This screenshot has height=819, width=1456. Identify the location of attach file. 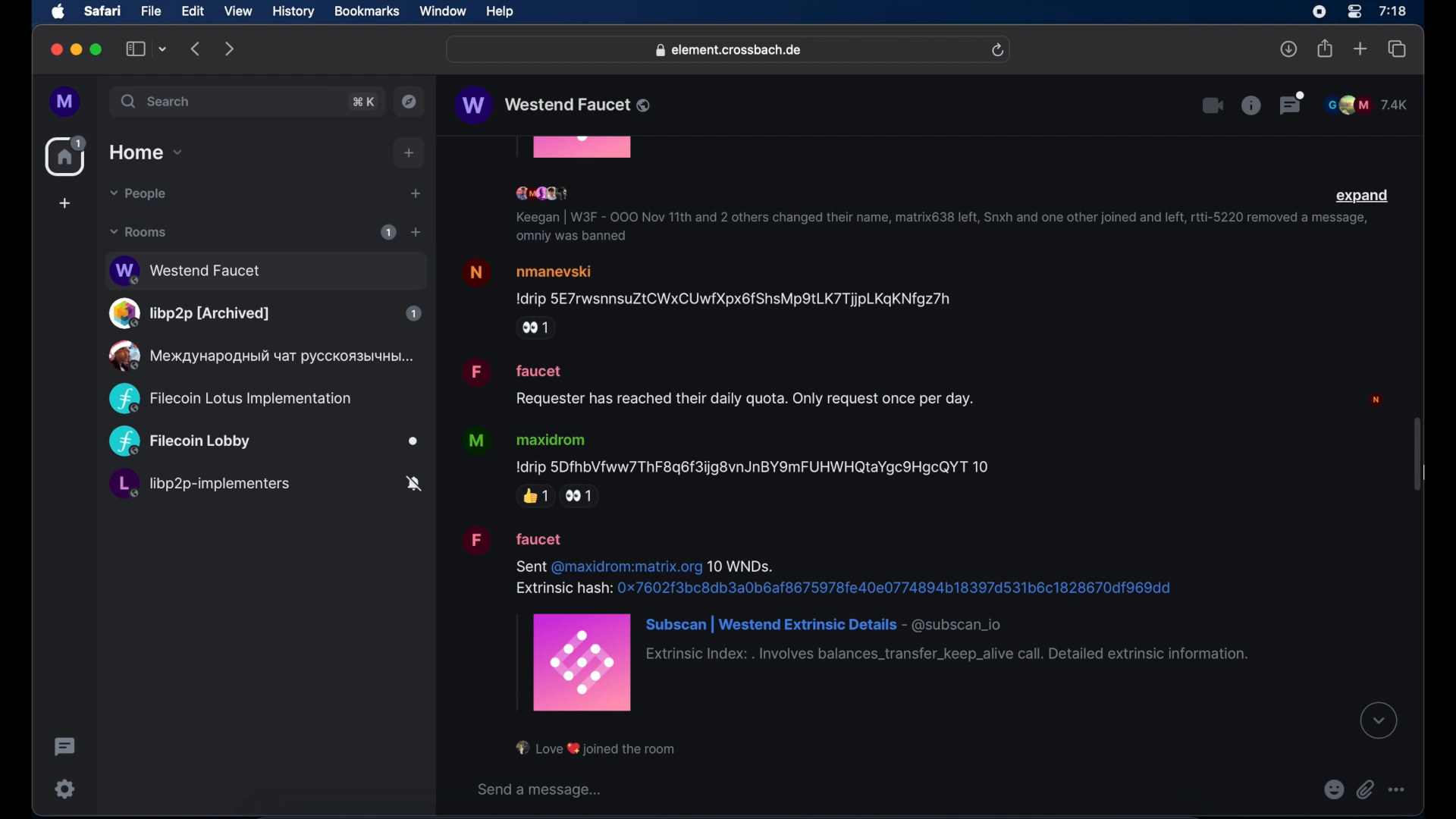
(1366, 789).